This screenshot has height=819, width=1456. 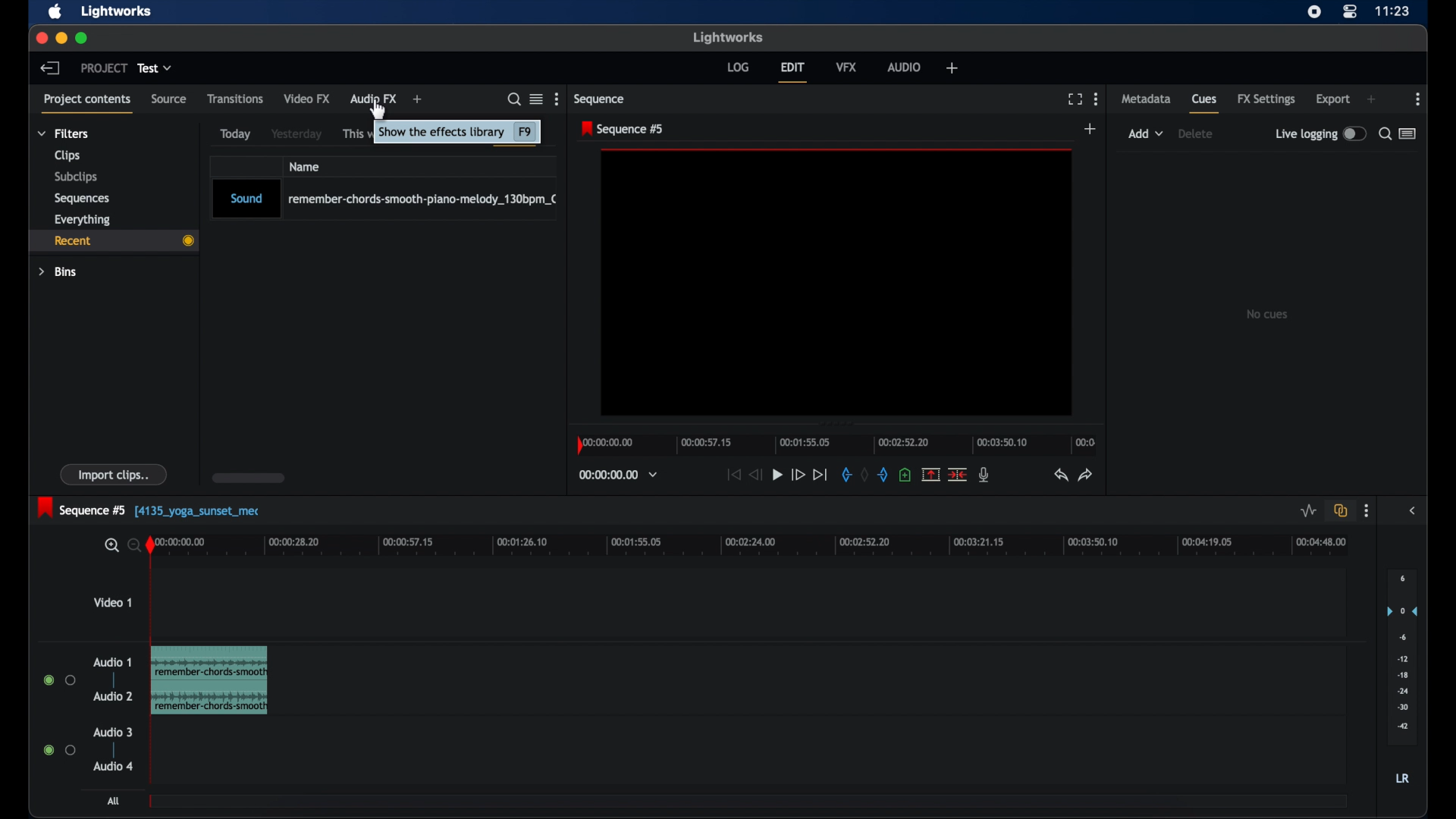 What do you see at coordinates (1367, 511) in the screenshot?
I see `more options` at bounding box center [1367, 511].